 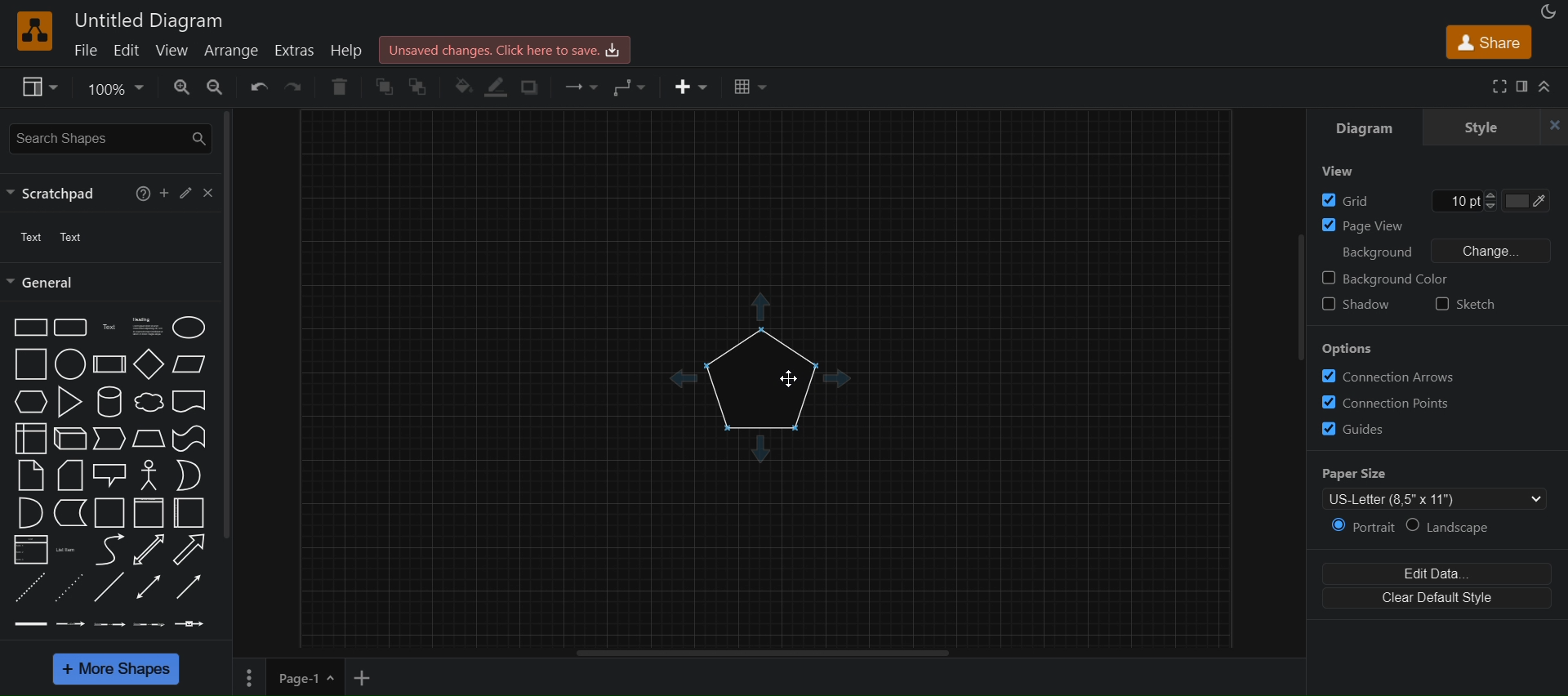 I want to click on Bidirectional arrow, so click(x=148, y=550).